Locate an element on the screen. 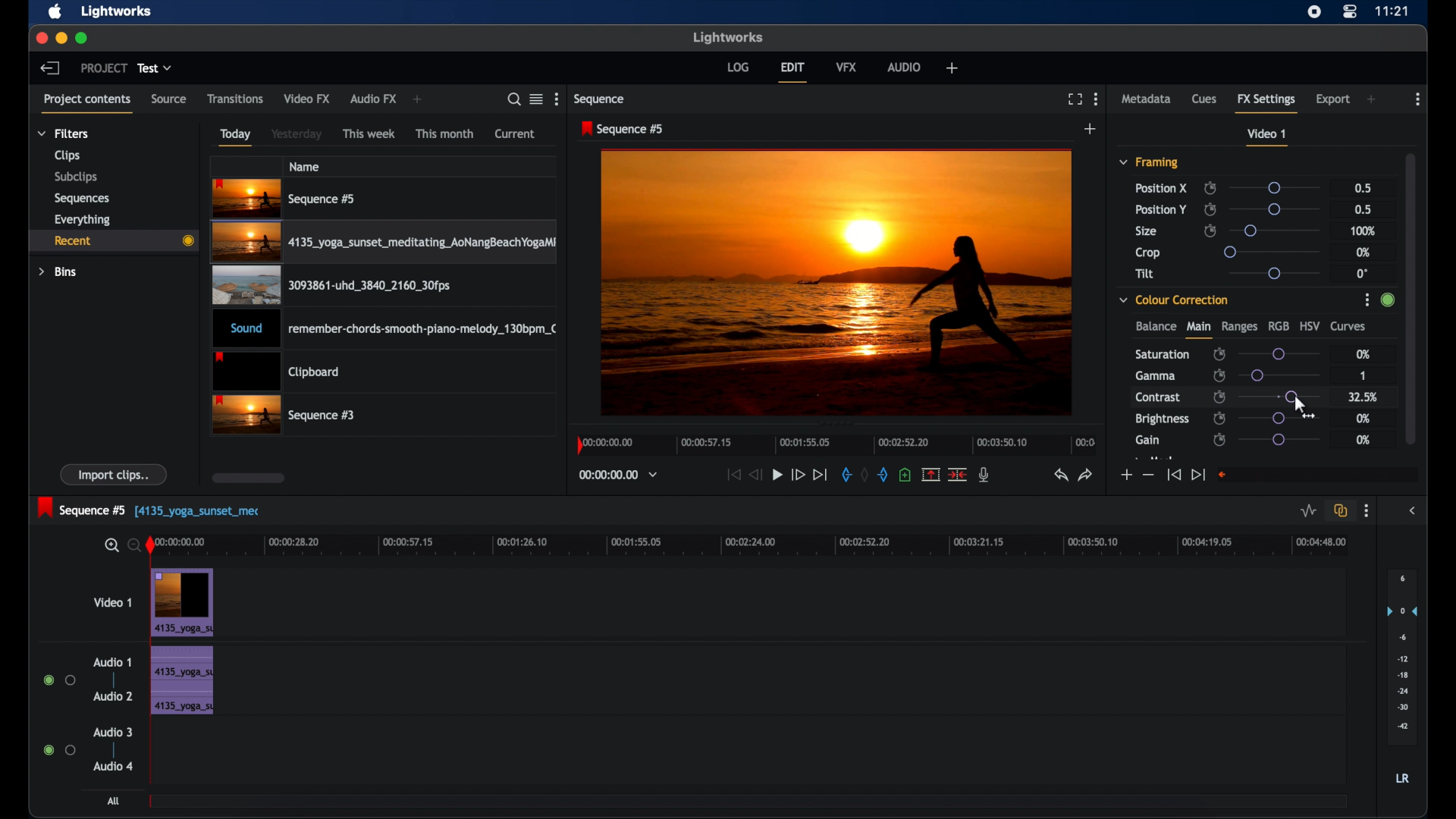  audio 3 is located at coordinates (114, 733).